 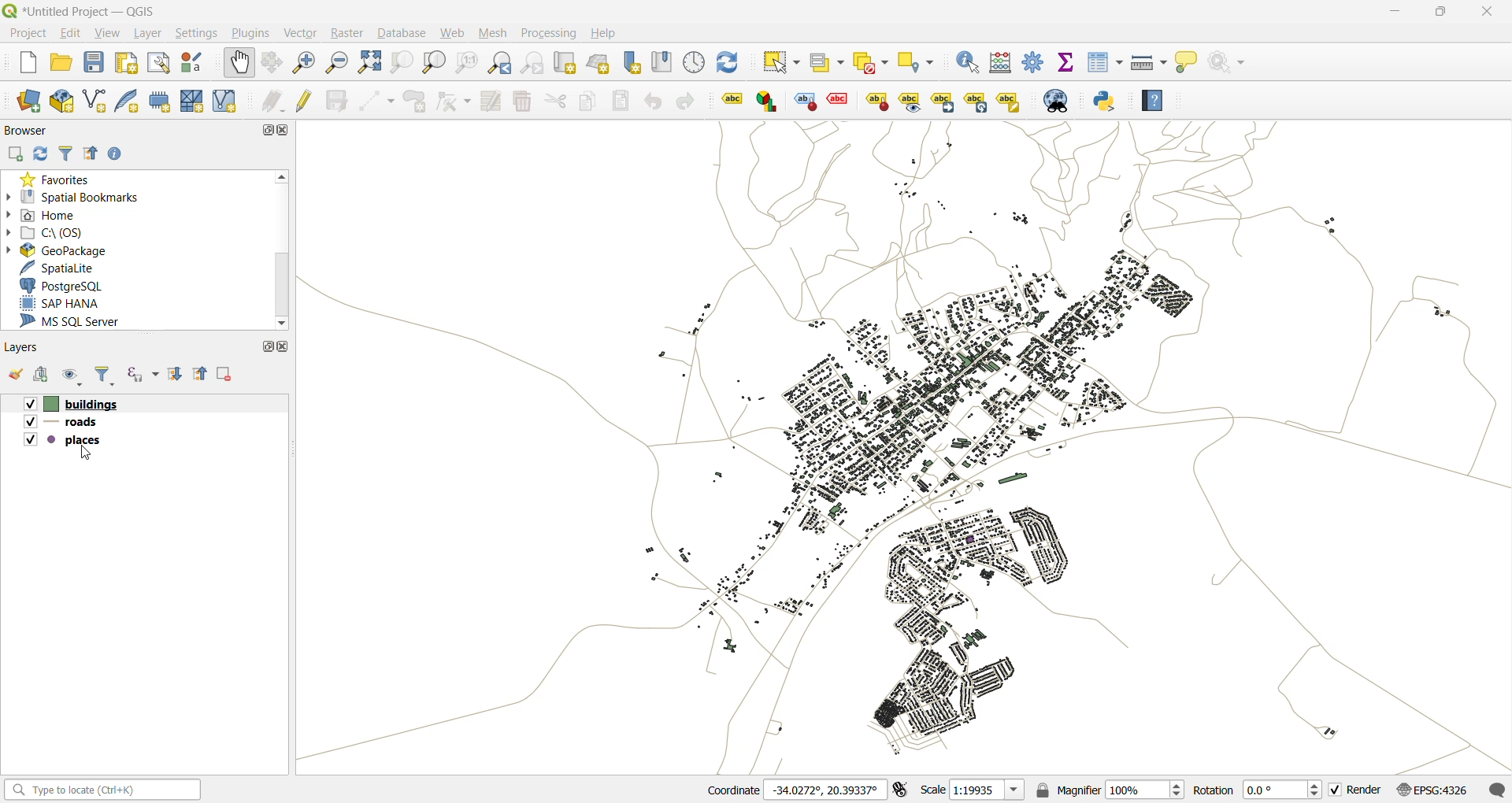 I want to click on settings, so click(x=202, y=34).